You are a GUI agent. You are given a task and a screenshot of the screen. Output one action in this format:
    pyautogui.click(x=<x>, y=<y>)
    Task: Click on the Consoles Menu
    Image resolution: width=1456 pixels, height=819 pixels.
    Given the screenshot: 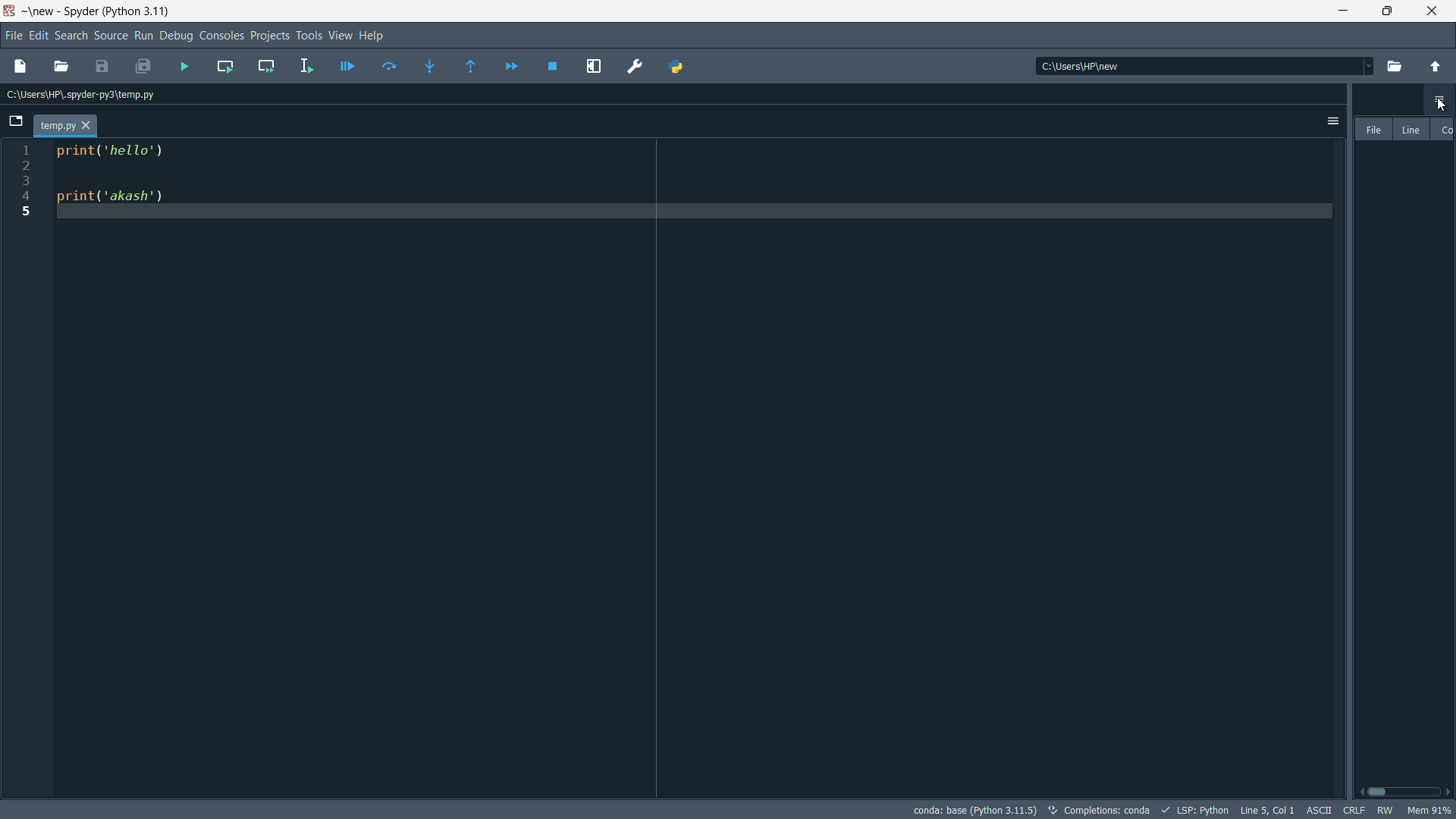 What is the action you would take?
    pyautogui.click(x=220, y=35)
    